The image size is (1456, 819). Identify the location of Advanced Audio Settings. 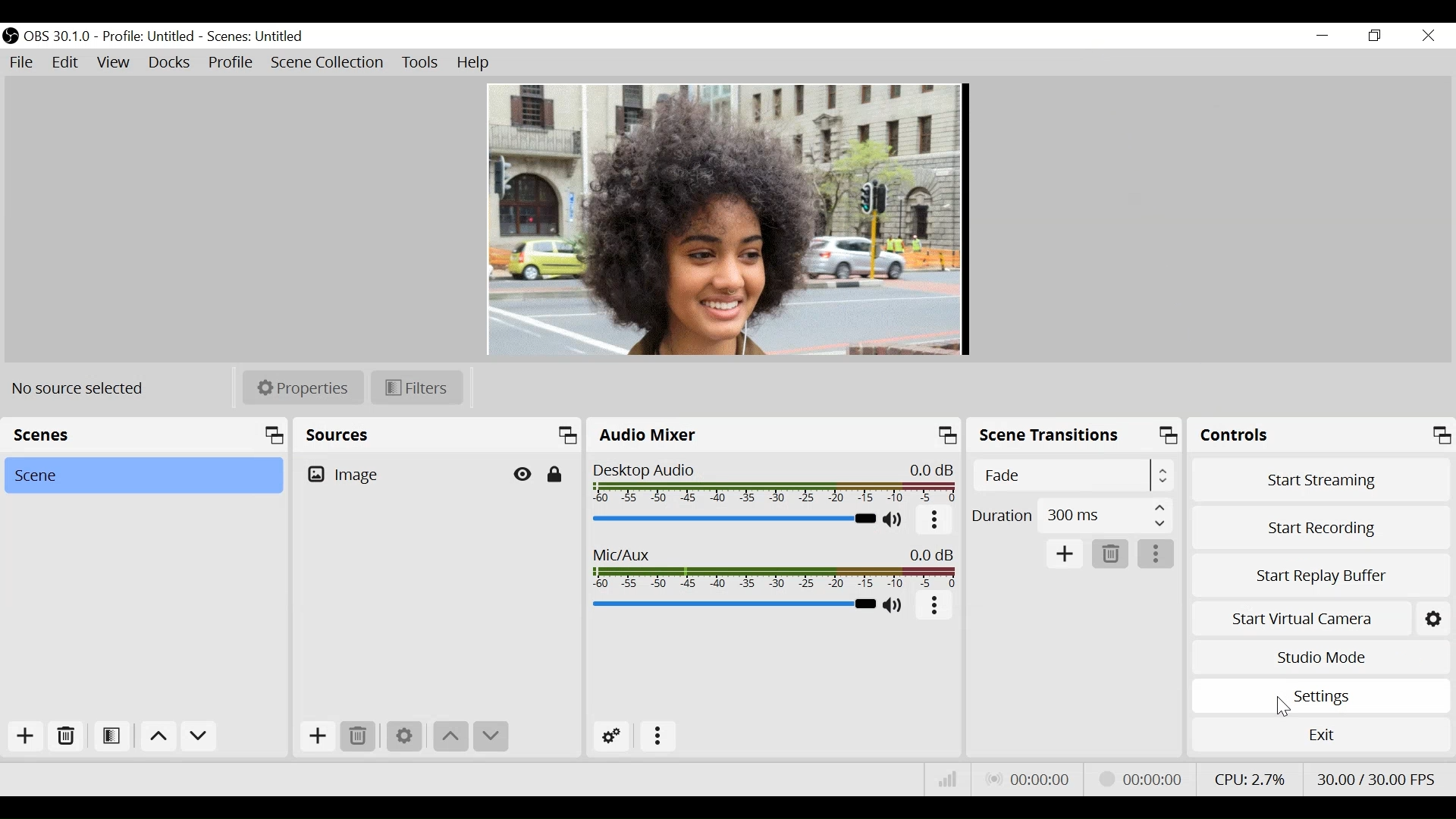
(610, 736).